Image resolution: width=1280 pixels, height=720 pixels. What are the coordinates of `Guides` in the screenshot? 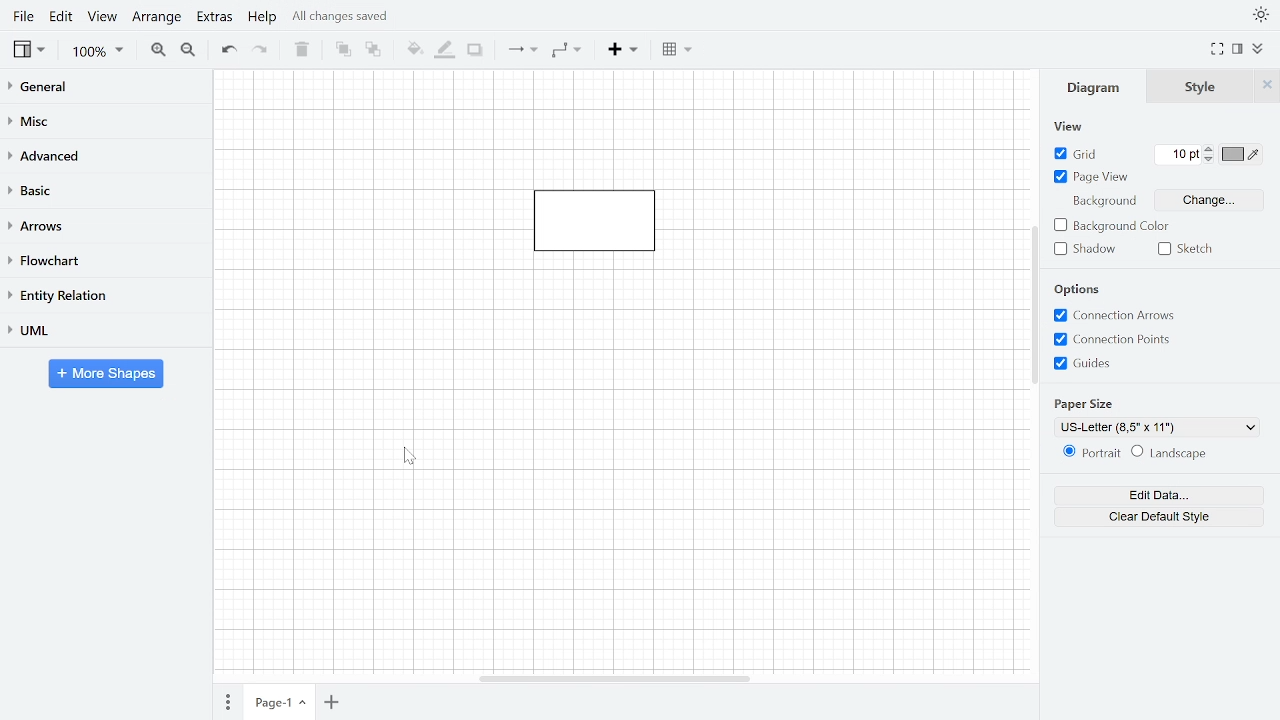 It's located at (1088, 364).